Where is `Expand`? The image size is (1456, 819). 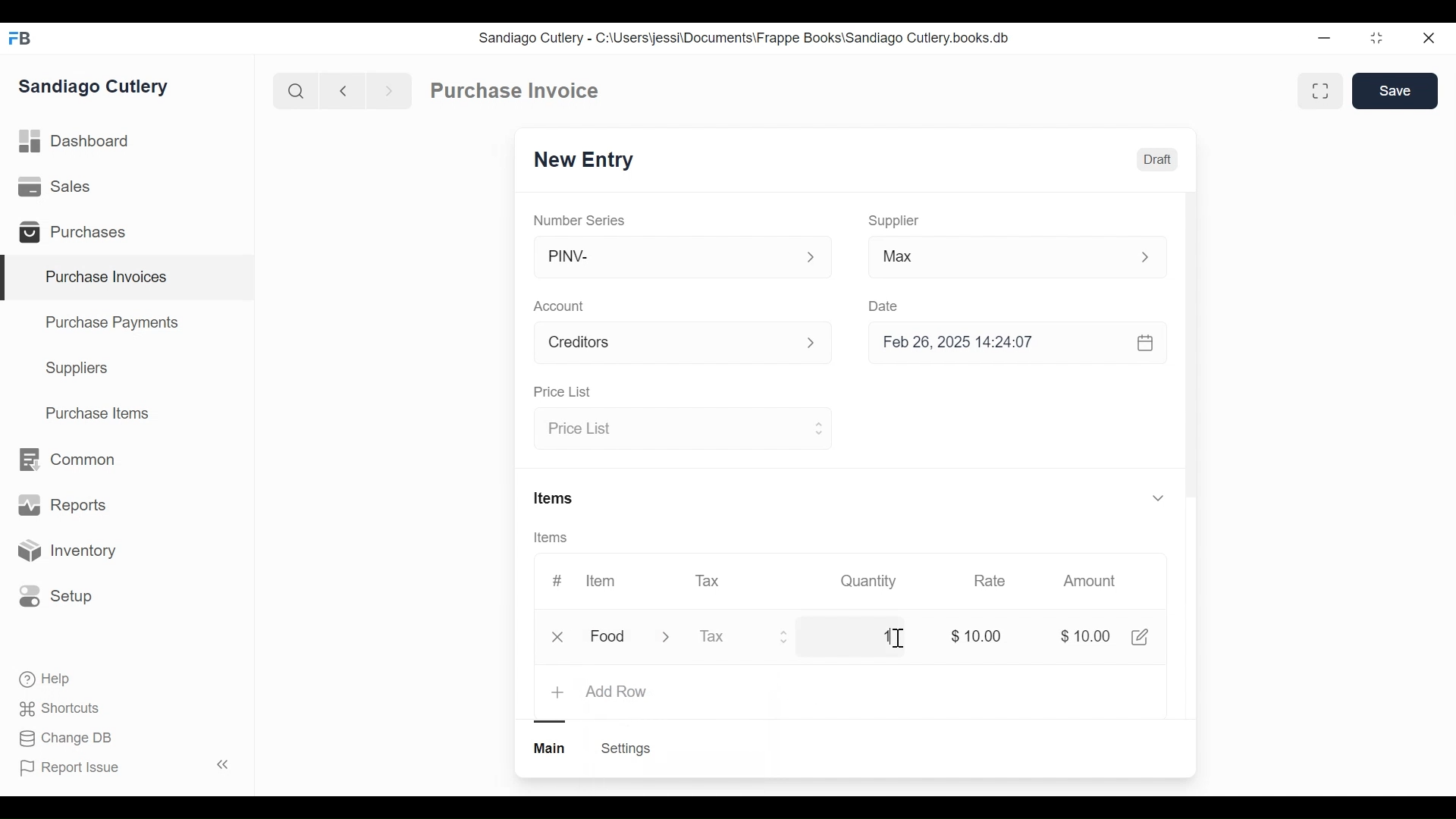
Expand is located at coordinates (811, 258).